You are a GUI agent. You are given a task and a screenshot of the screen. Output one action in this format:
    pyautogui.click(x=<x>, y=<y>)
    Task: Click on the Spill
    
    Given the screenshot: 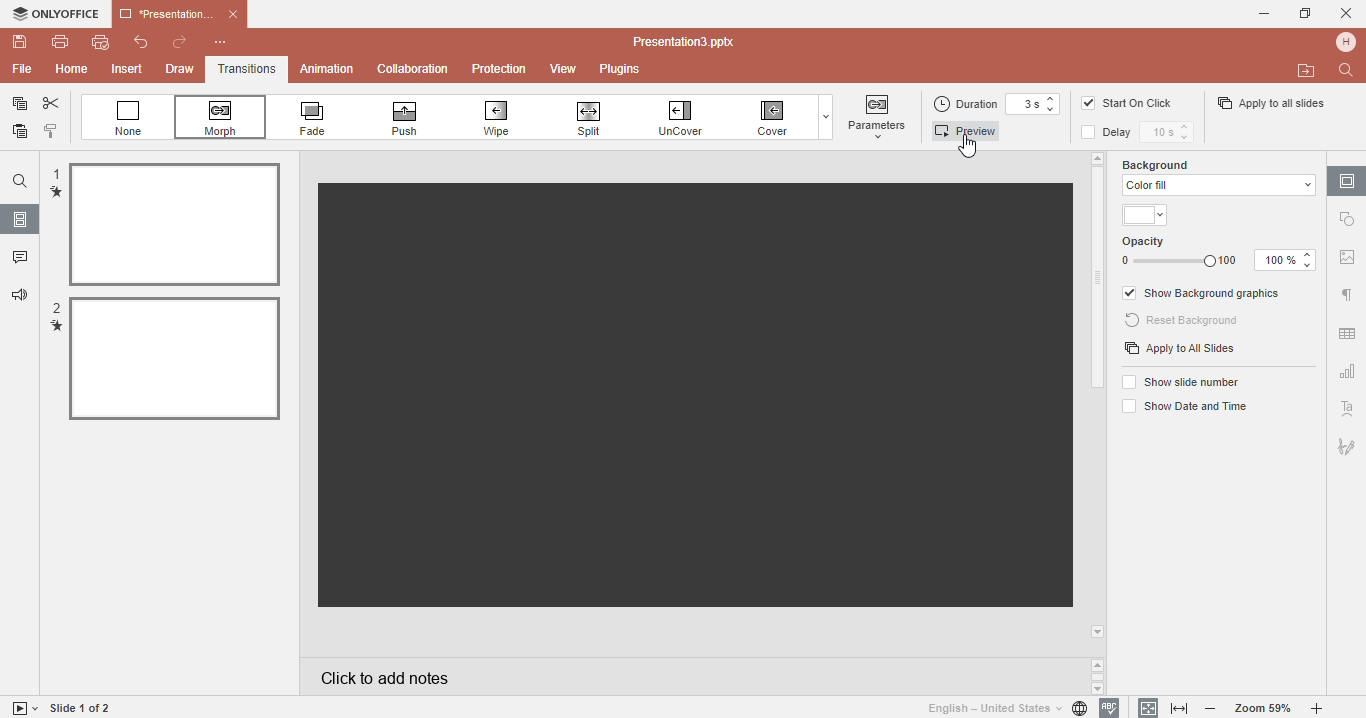 What is the action you would take?
    pyautogui.click(x=597, y=115)
    